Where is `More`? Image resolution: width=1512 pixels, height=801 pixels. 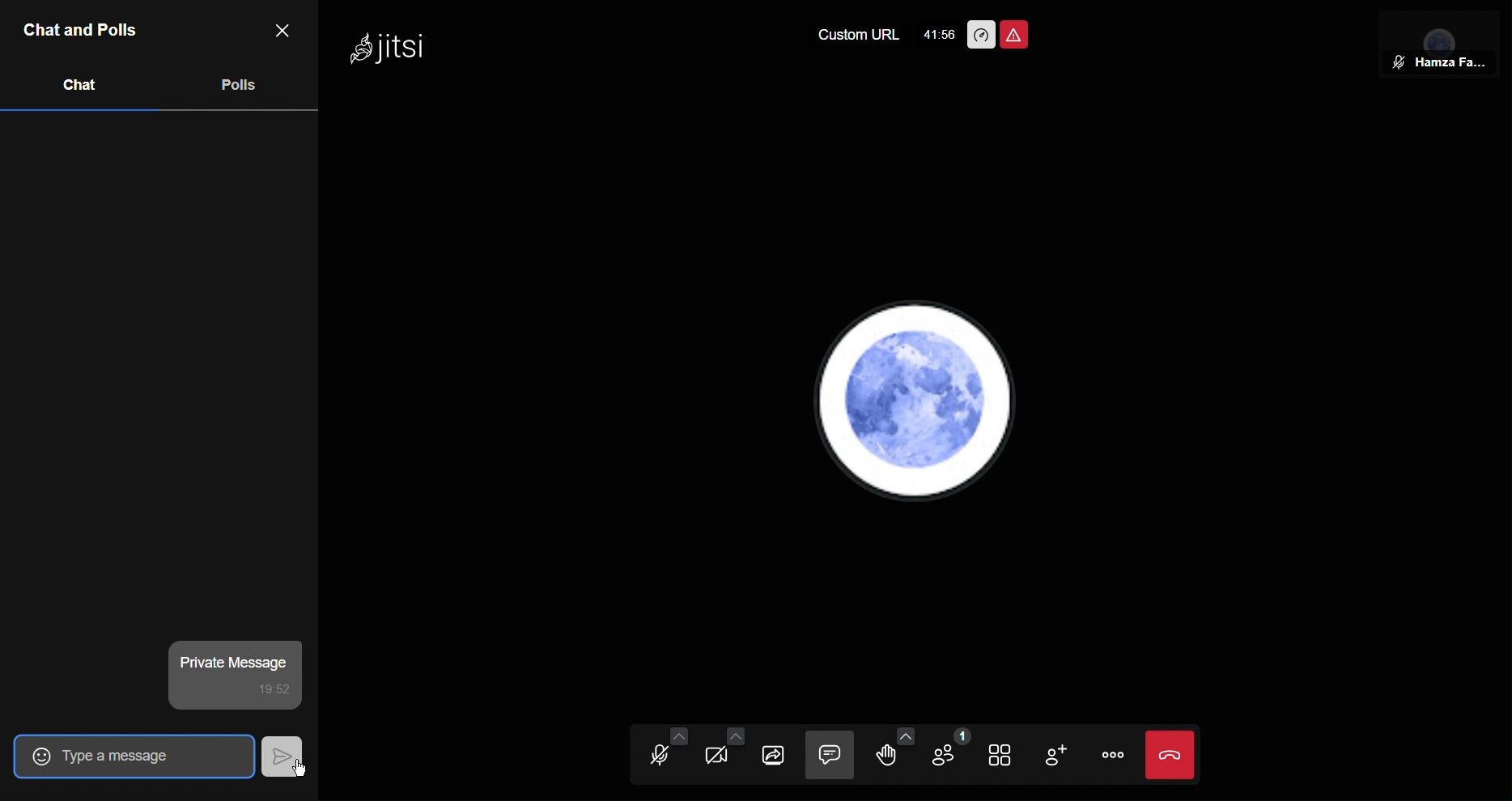 More is located at coordinates (1122, 756).